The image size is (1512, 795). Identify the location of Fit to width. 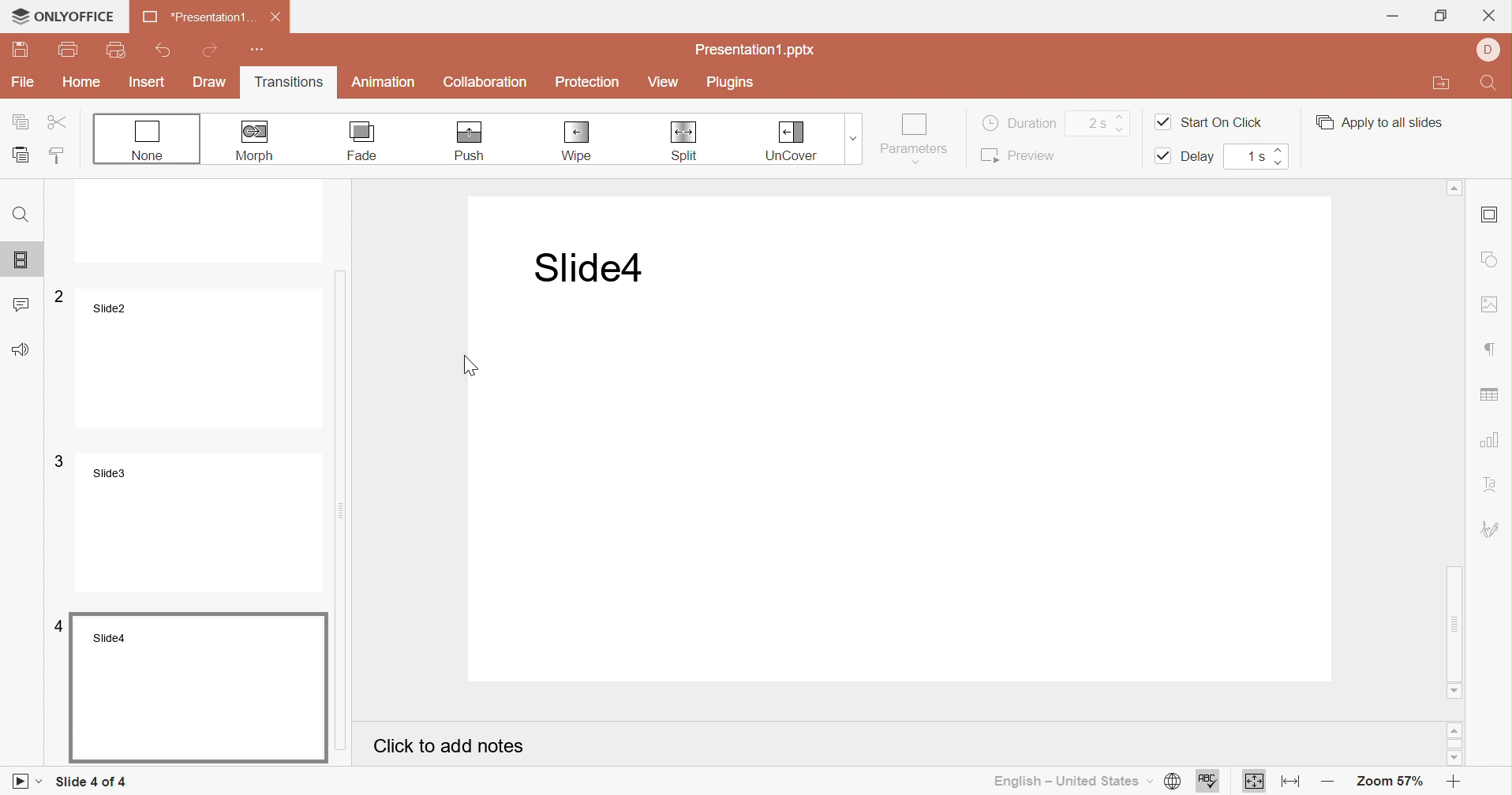
(1287, 782).